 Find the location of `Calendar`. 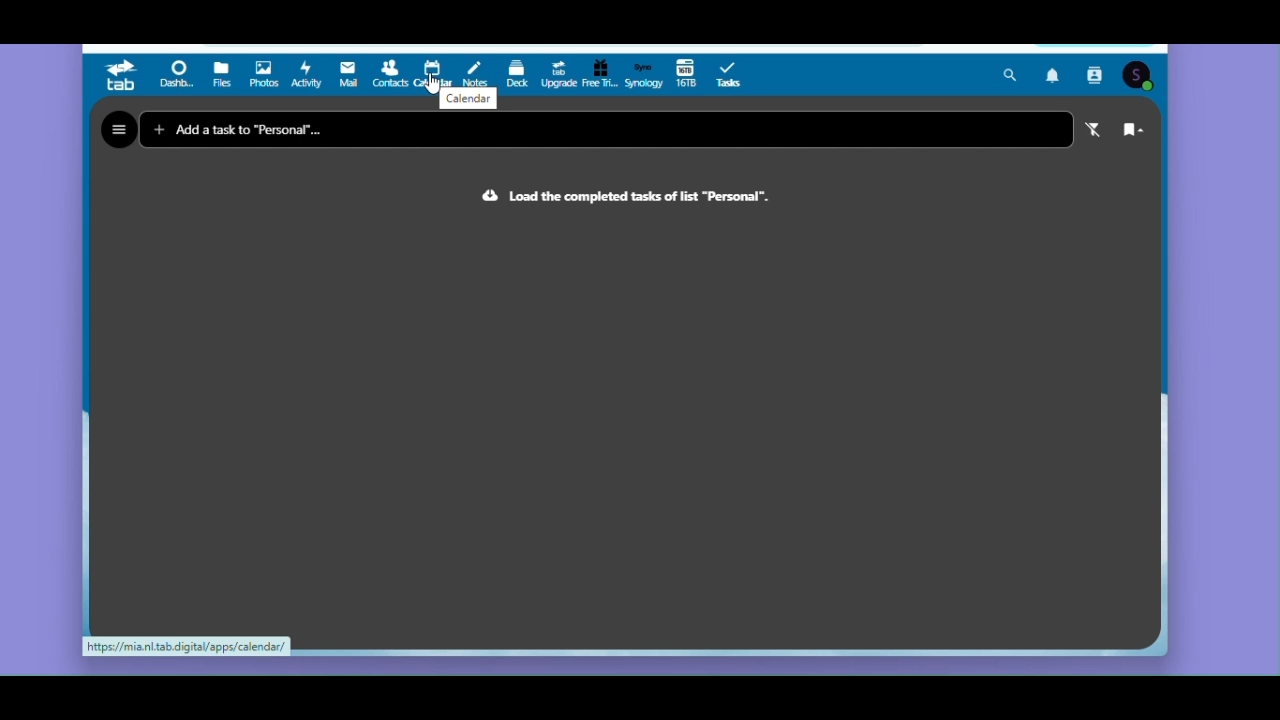

Calendar is located at coordinates (433, 70).